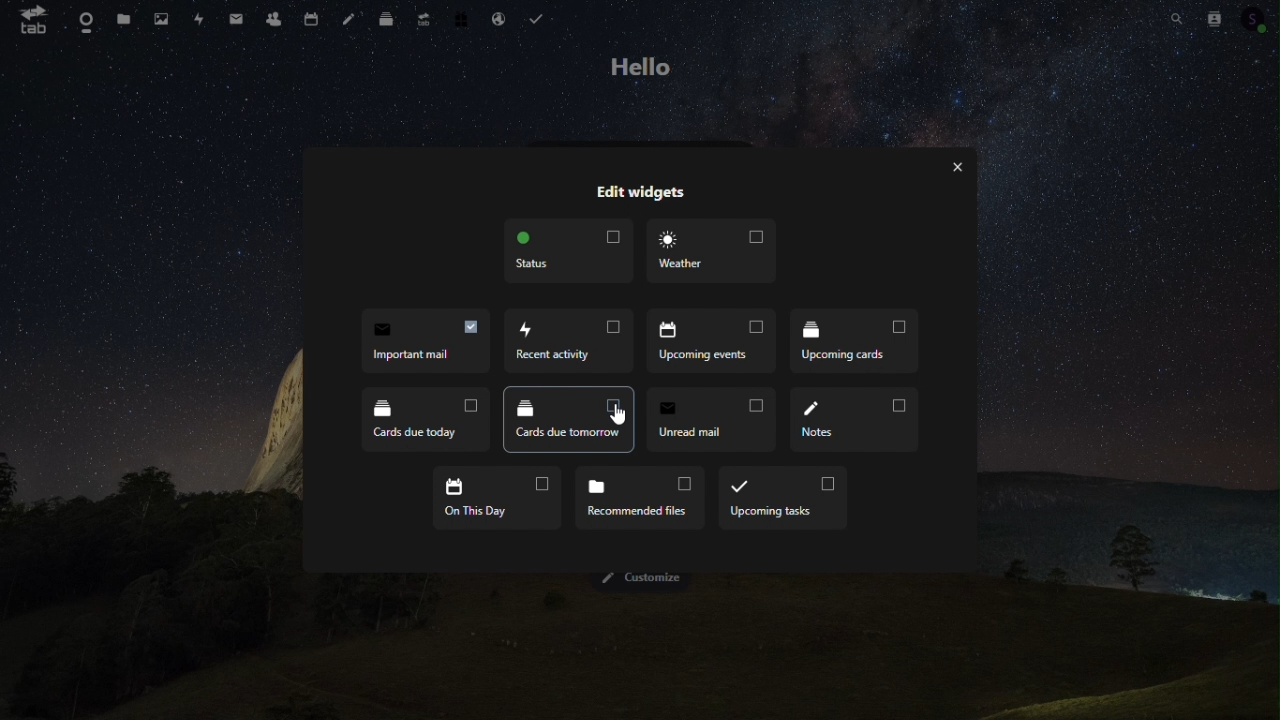 Image resolution: width=1280 pixels, height=720 pixels. What do you see at coordinates (782, 497) in the screenshot?
I see `Upcoming tasks` at bounding box center [782, 497].